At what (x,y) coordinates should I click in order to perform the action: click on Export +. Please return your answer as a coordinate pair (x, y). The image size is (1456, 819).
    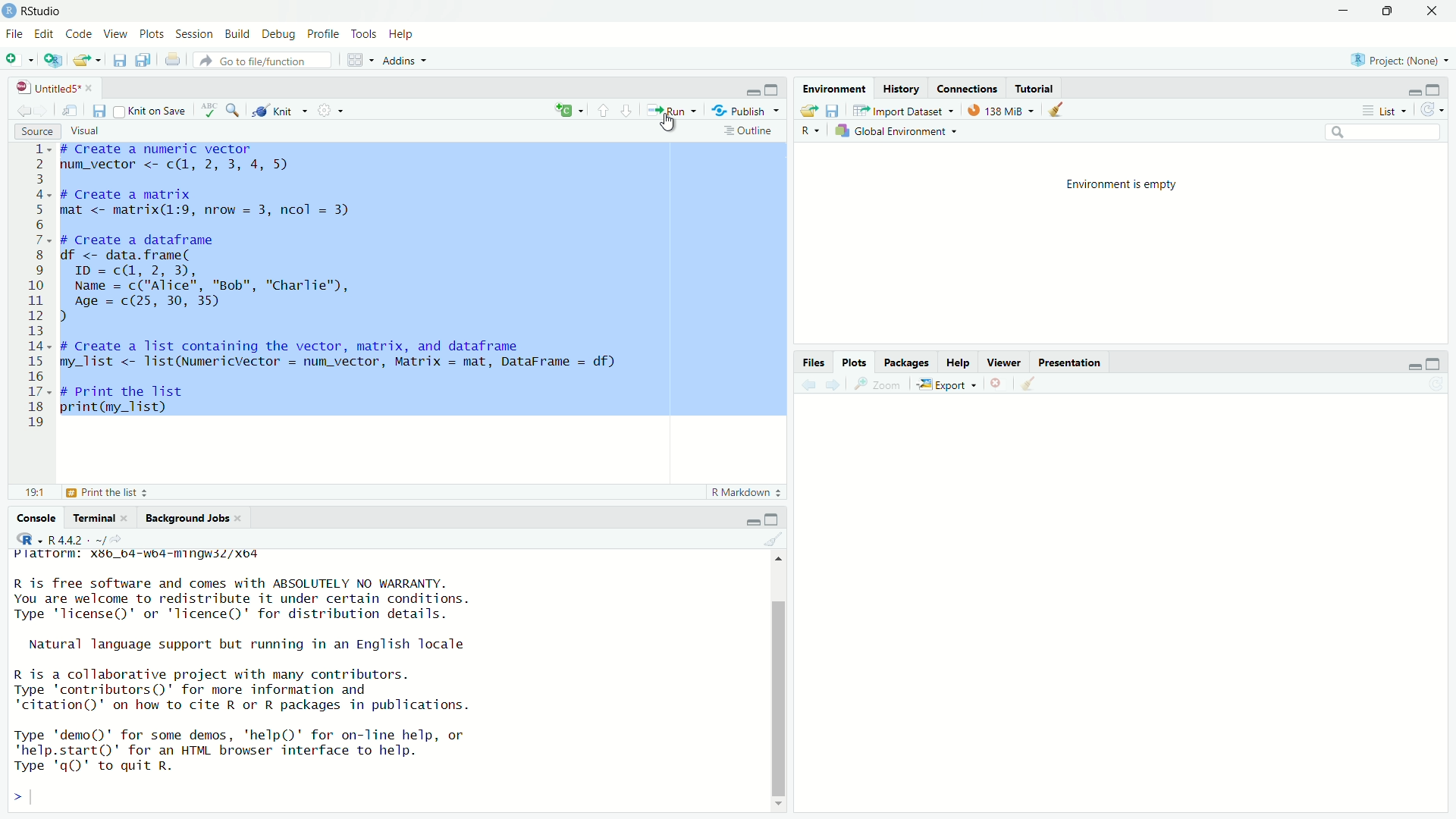
    Looking at the image, I should click on (949, 386).